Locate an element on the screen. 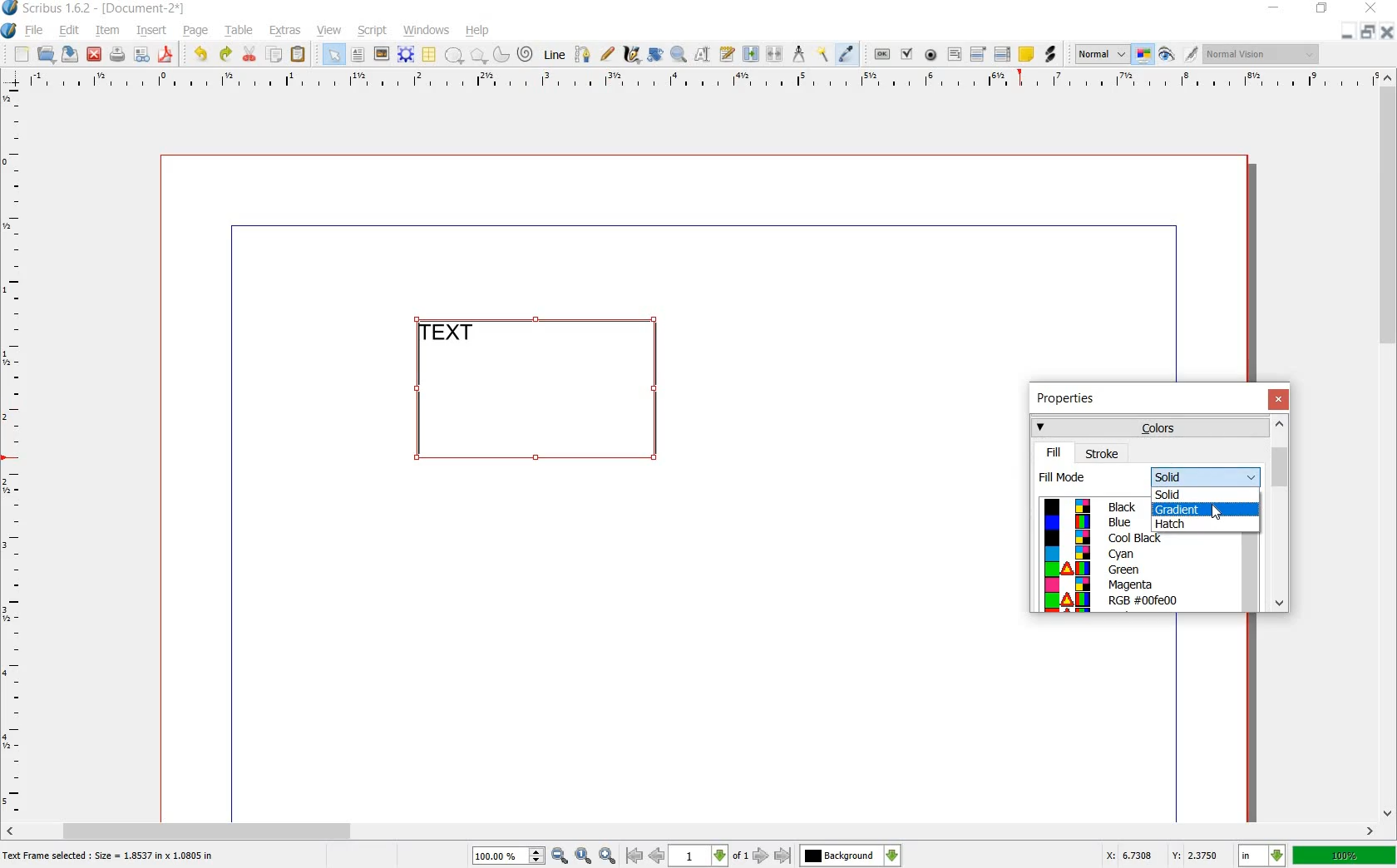  cut is located at coordinates (250, 55).